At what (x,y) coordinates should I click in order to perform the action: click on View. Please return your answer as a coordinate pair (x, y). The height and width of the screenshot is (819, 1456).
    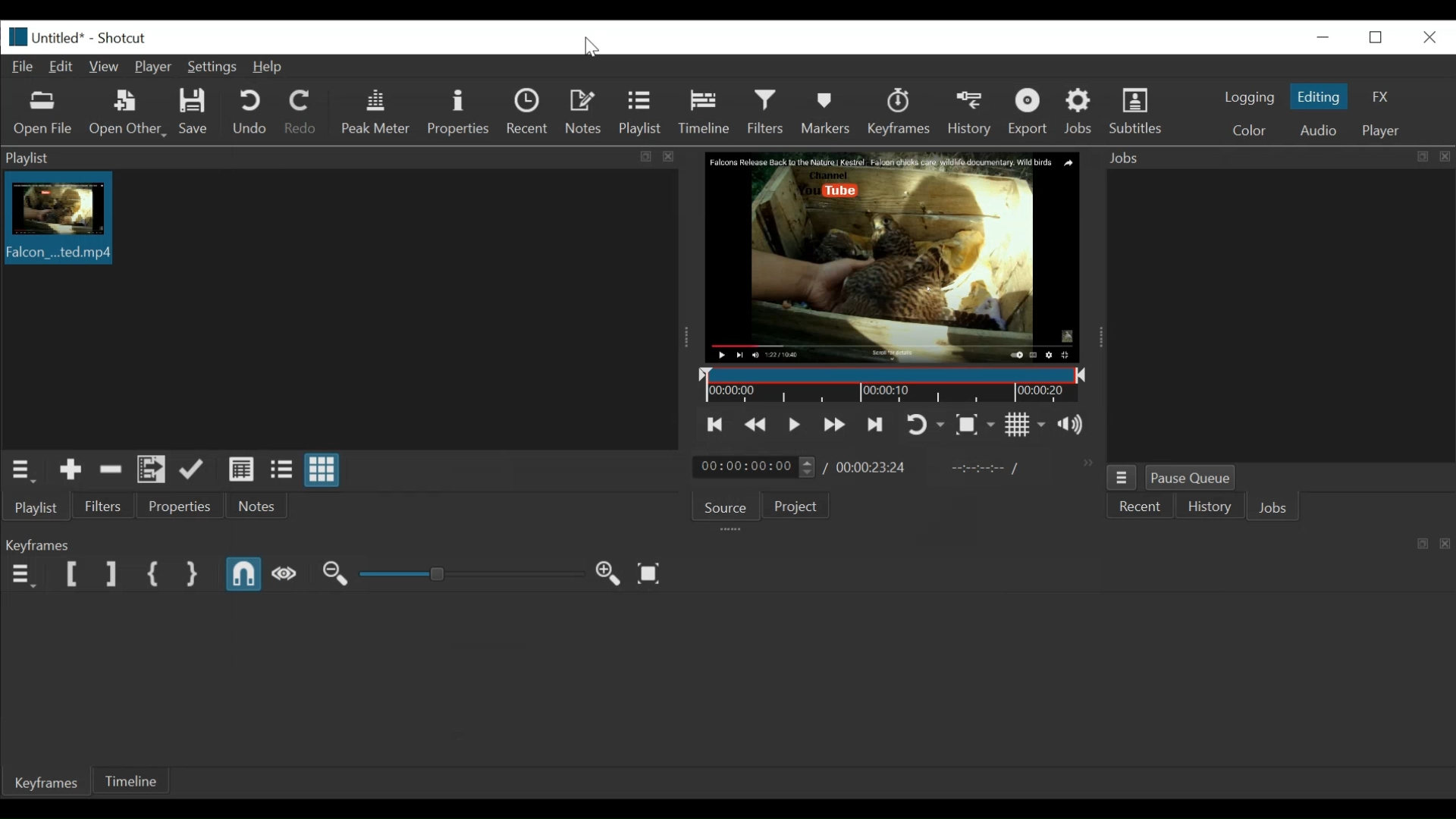
    Looking at the image, I should click on (105, 66).